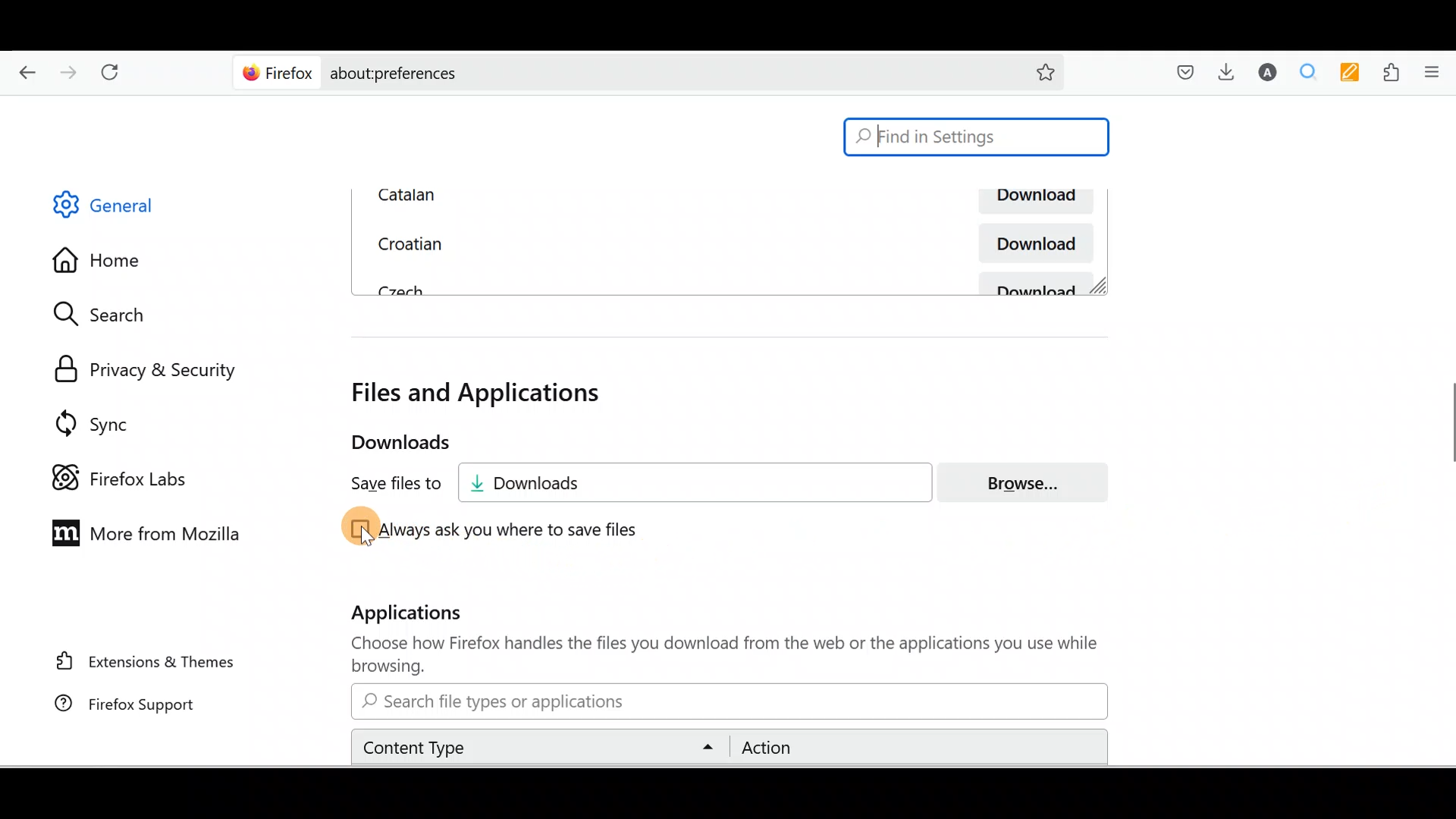 The width and height of the screenshot is (1456, 819). I want to click on Search bar, so click(617, 73).